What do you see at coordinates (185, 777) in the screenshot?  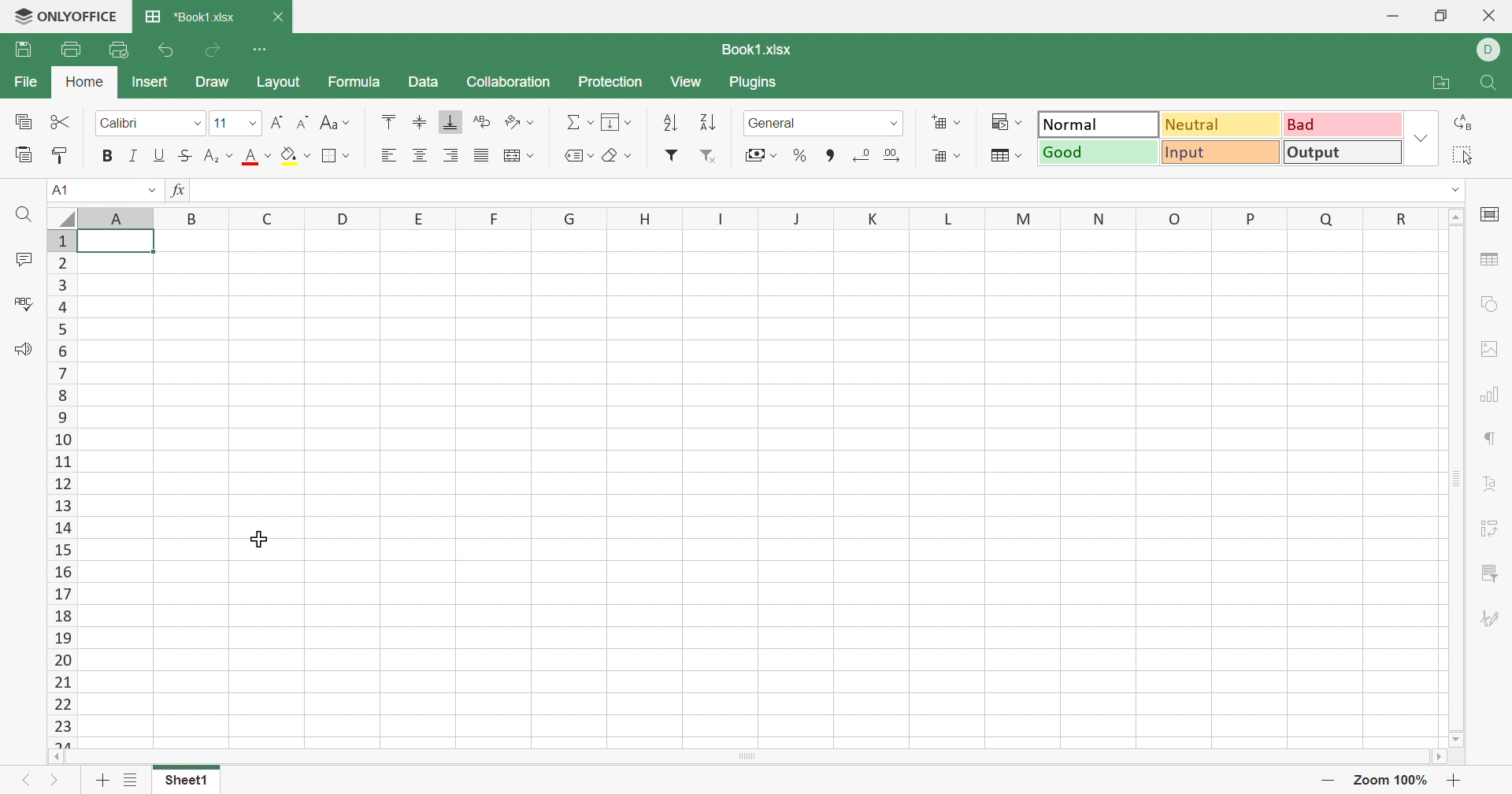 I see `Sheet1` at bounding box center [185, 777].